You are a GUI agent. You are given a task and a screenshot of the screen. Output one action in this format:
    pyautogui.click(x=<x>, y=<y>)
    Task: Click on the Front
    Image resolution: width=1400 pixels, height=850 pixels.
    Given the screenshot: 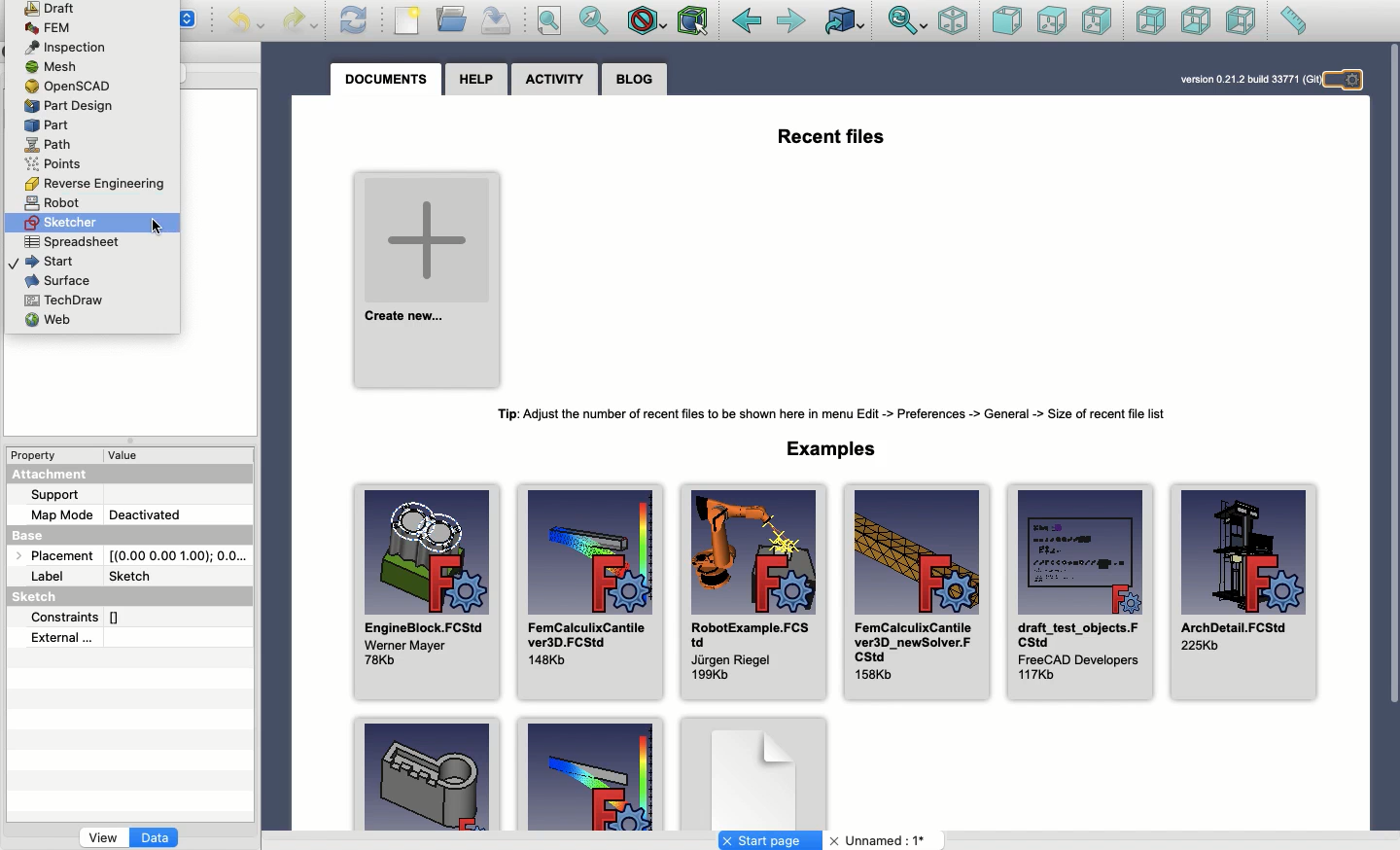 What is the action you would take?
    pyautogui.click(x=1007, y=22)
    